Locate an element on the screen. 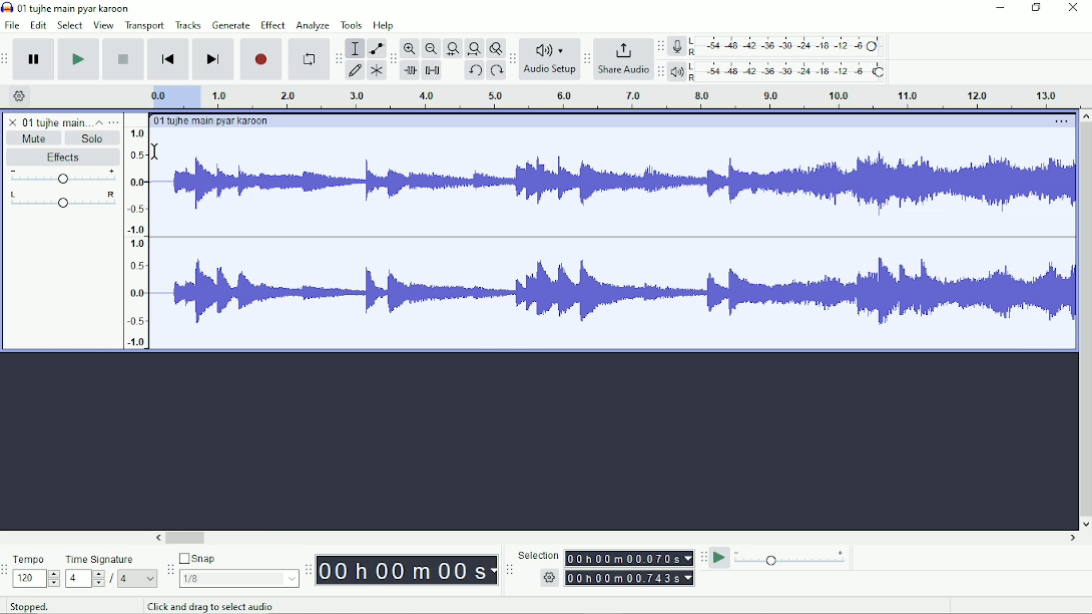 This screenshot has width=1092, height=614. File is located at coordinates (14, 25).